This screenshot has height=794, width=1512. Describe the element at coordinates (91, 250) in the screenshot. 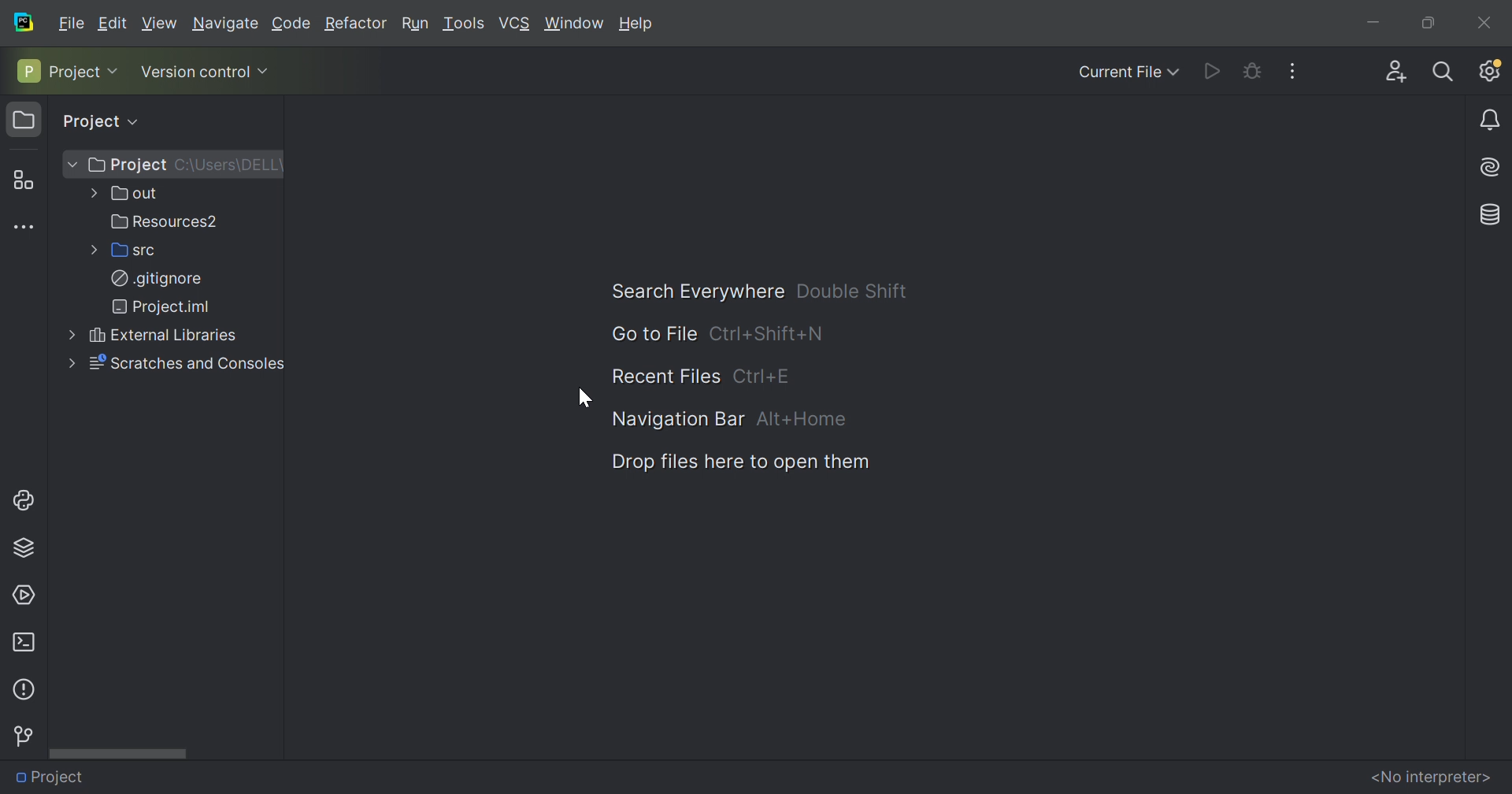

I see `More` at that location.